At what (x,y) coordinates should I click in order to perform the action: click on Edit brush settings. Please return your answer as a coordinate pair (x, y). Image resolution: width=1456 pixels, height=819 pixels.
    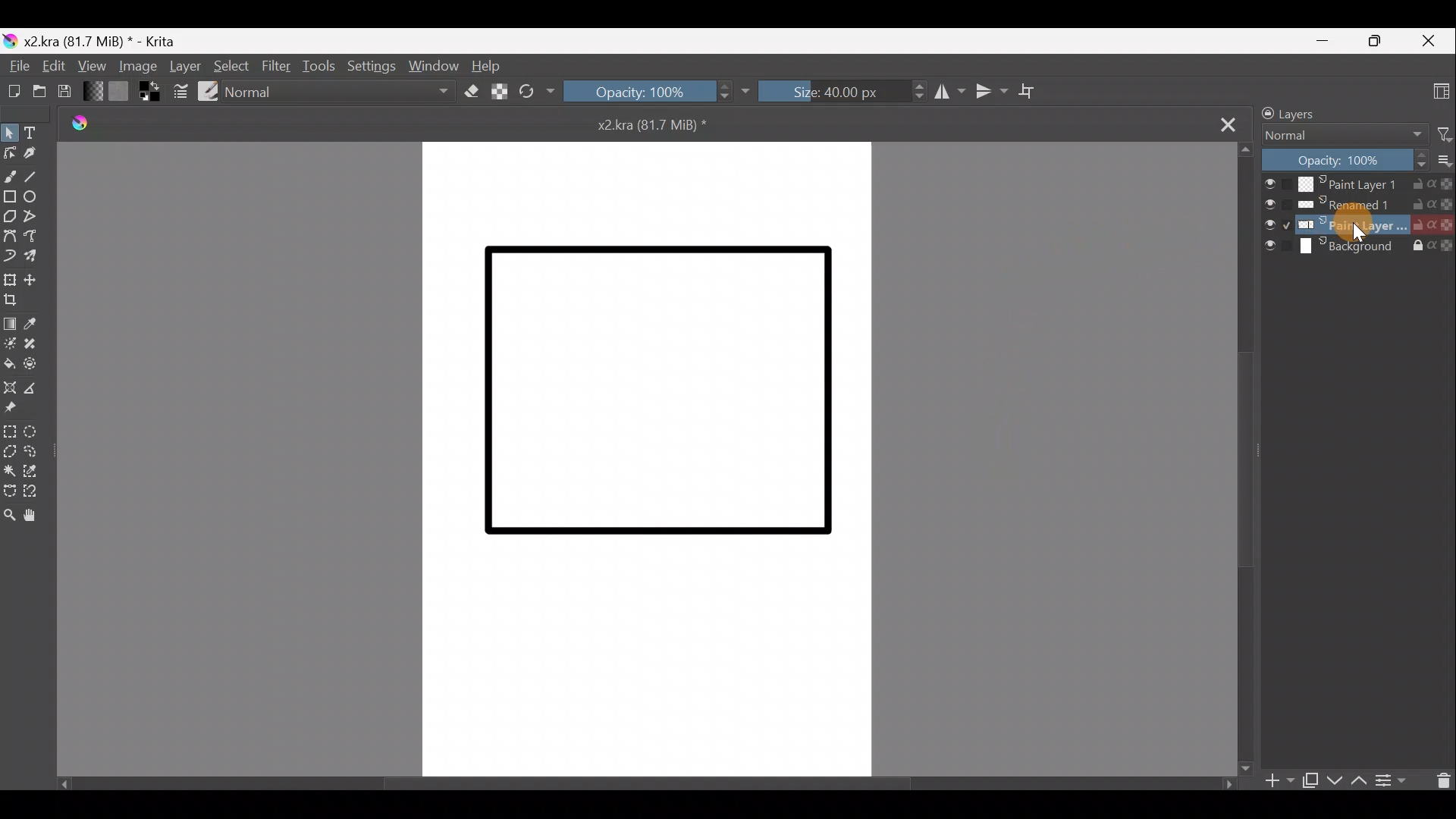
    Looking at the image, I should click on (179, 94).